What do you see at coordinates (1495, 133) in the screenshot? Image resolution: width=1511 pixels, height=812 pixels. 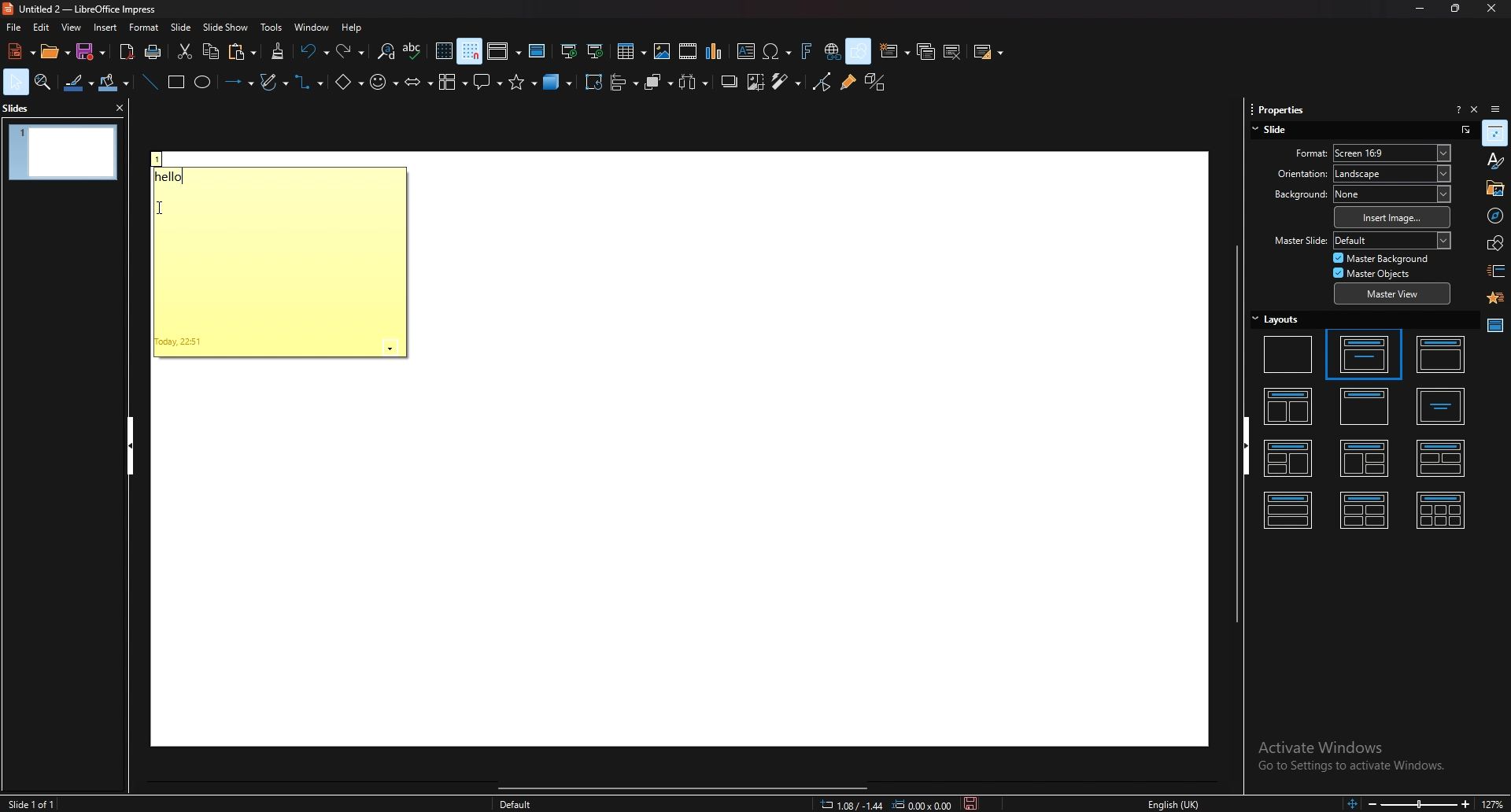 I see `properties` at bounding box center [1495, 133].